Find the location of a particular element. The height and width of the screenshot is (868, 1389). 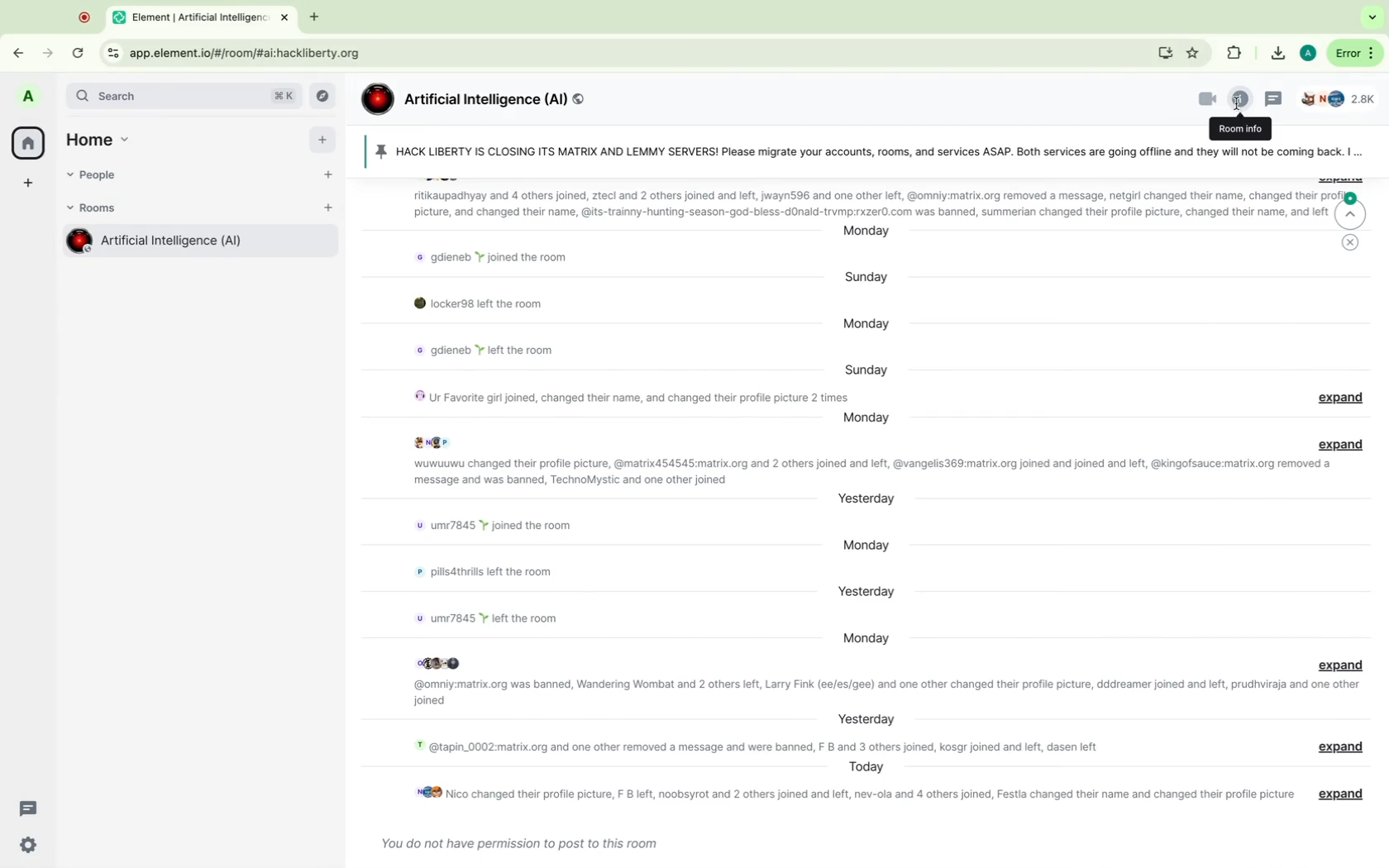

day is located at coordinates (863, 638).